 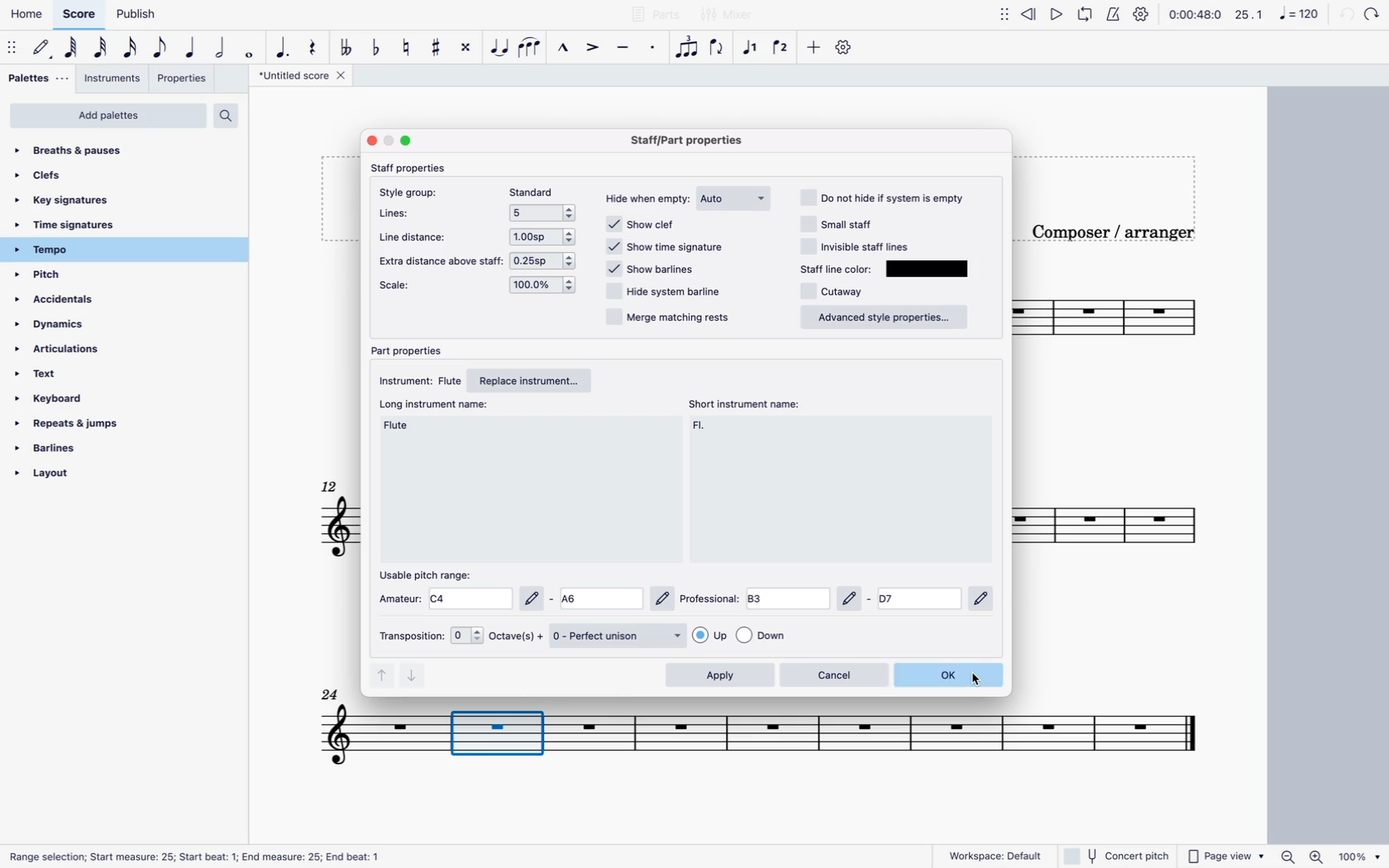 What do you see at coordinates (73, 47) in the screenshot?
I see `64th note` at bounding box center [73, 47].